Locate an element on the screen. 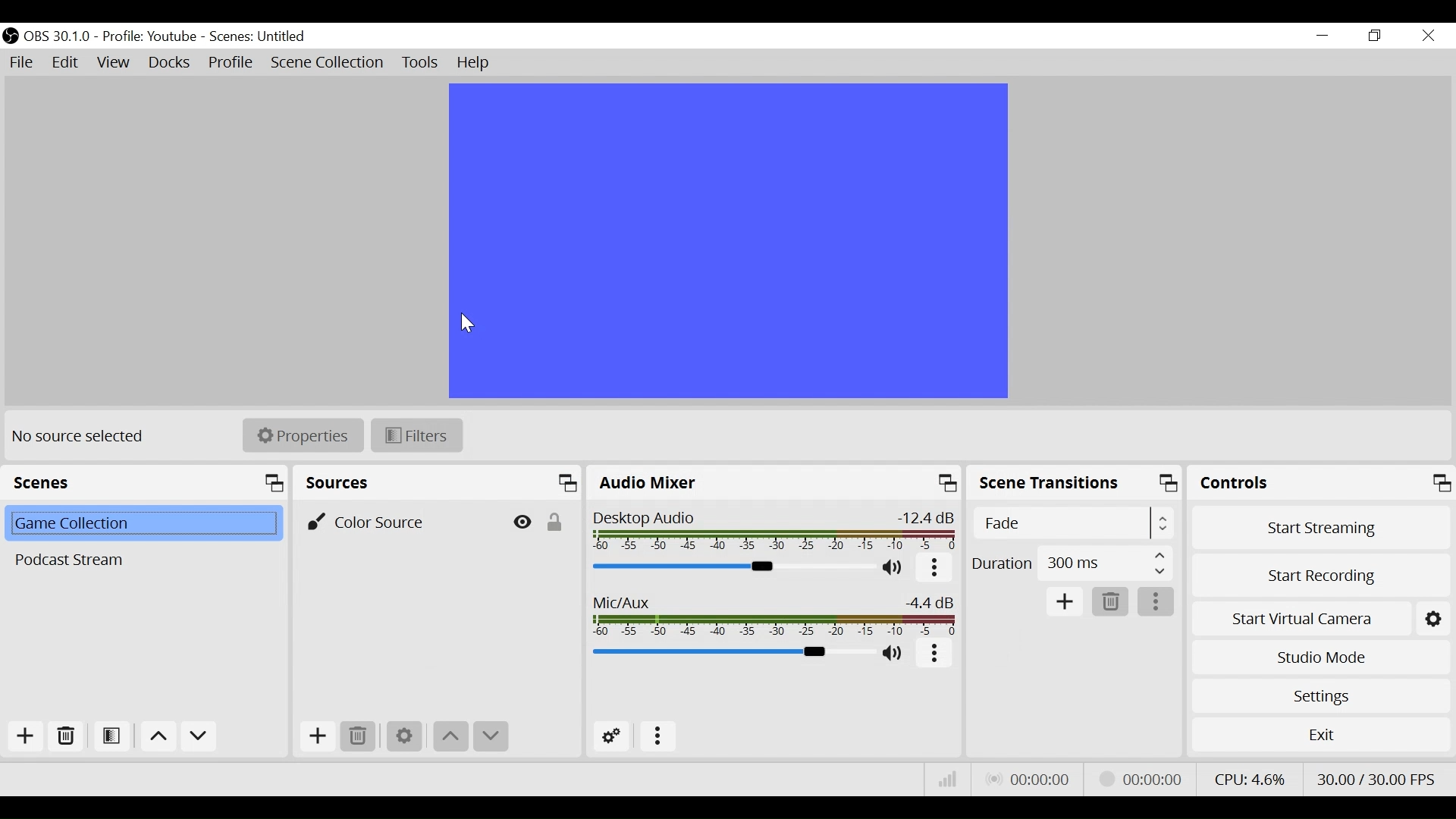 This screenshot has width=1456, height=819. No source Selected is located at coordinates (83, 438).